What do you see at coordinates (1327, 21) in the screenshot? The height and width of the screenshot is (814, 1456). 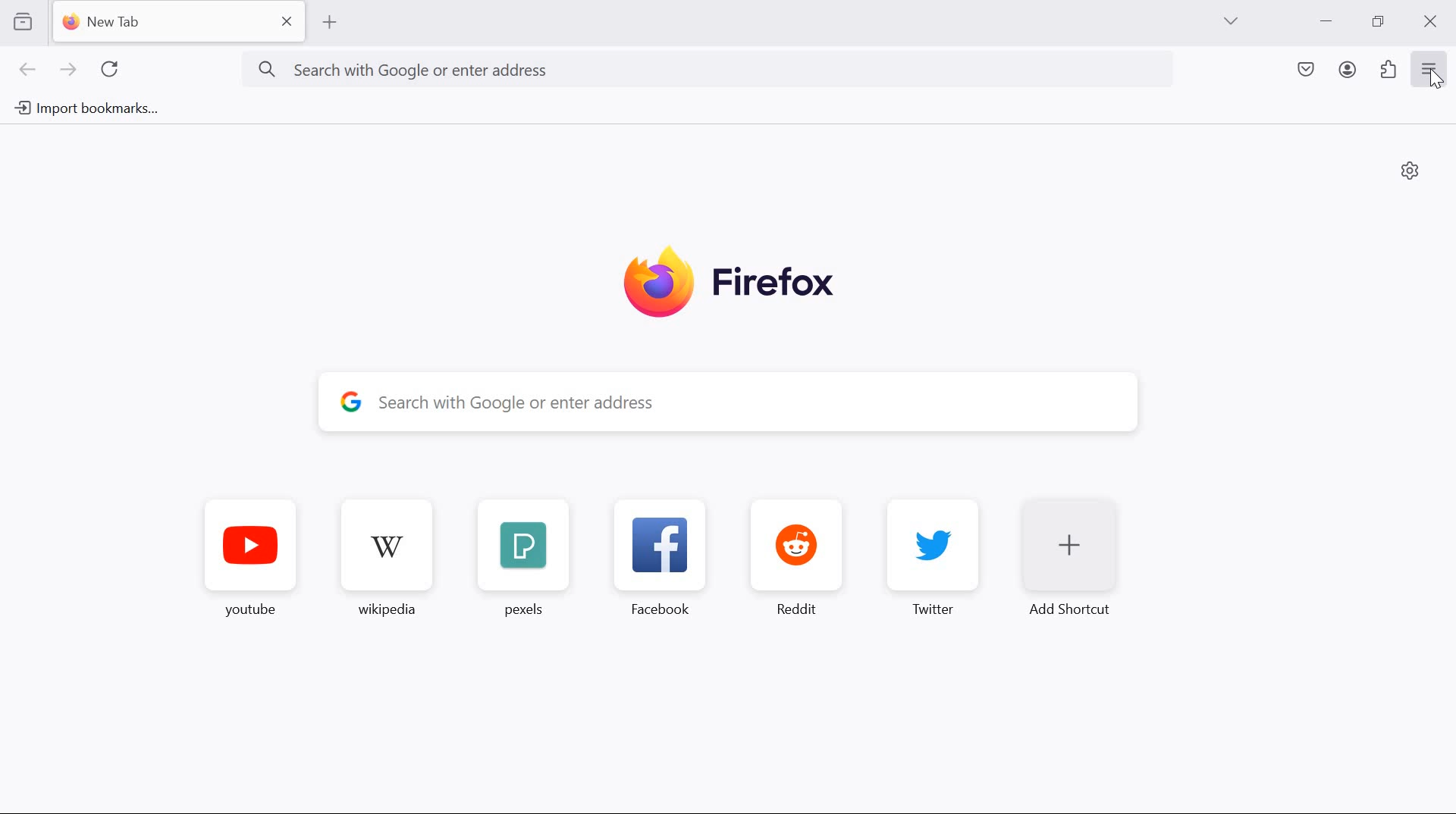 I see `minimize` at bounding box center [1327, 21].